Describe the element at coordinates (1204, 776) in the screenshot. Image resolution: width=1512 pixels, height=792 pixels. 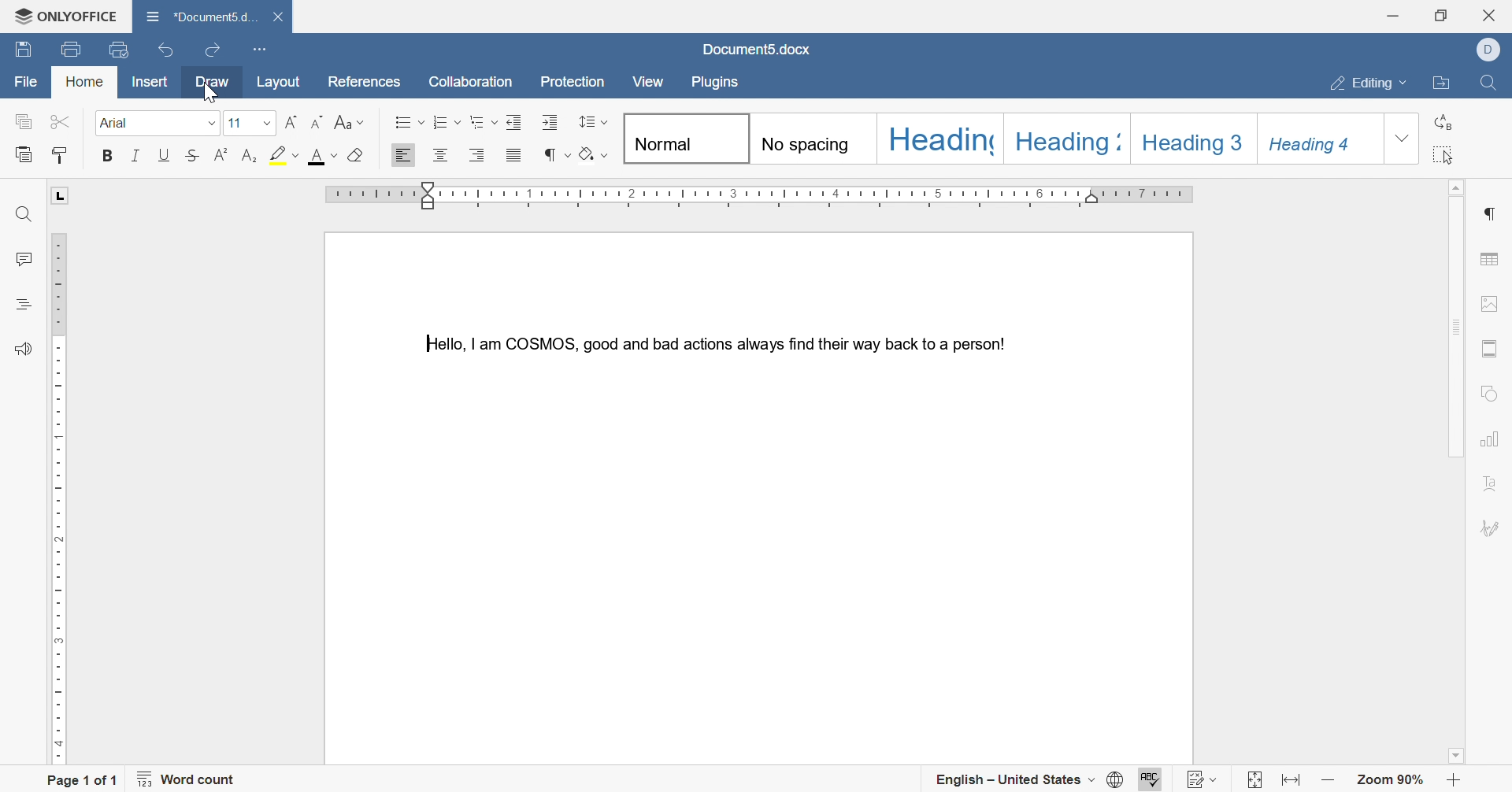
I see `track changes` at that location.